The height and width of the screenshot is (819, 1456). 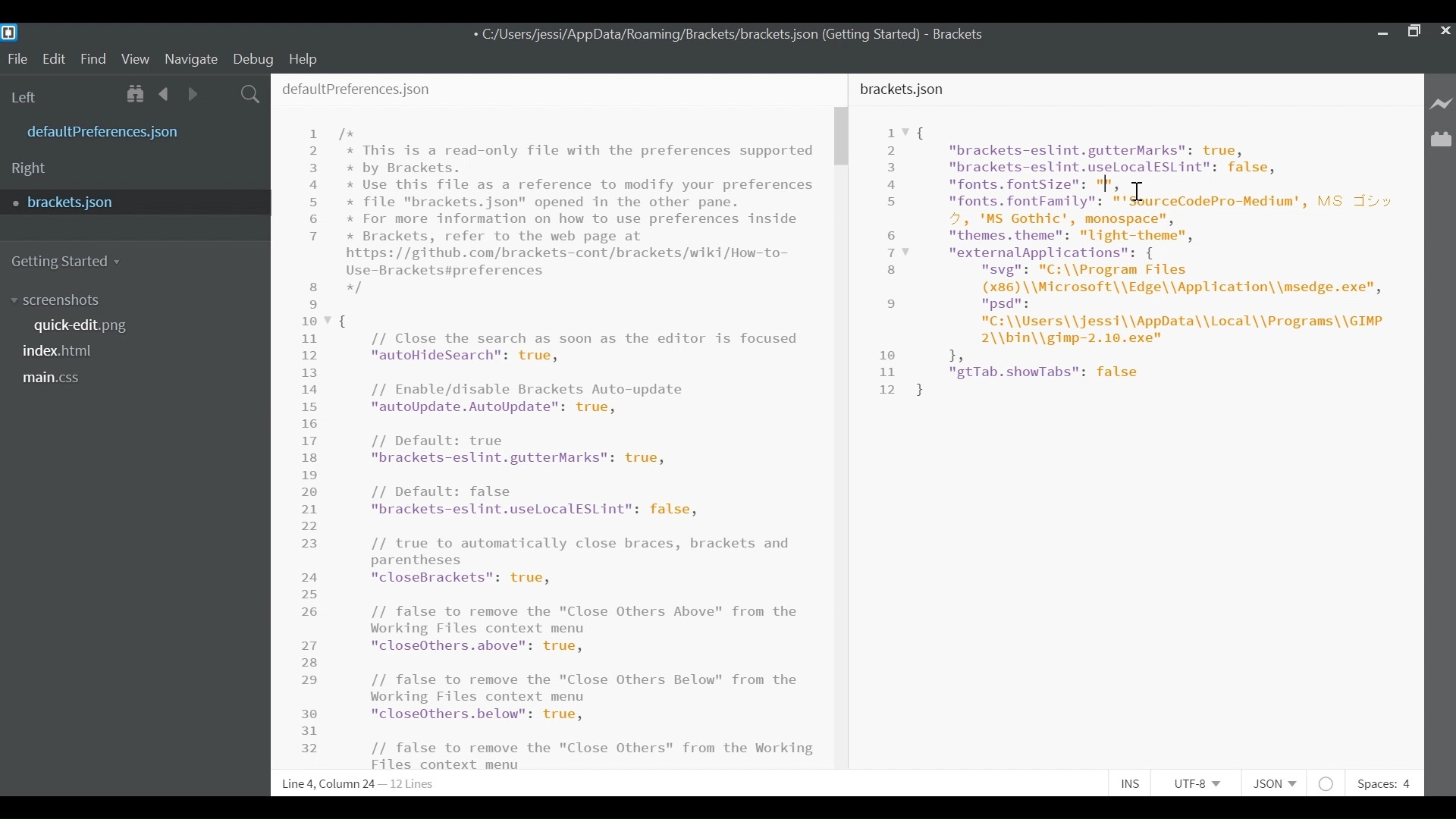 What do you see at coordinates (165, 94) in the screenshot?
I see `Navigate Back` at bounding box center [165, 94].